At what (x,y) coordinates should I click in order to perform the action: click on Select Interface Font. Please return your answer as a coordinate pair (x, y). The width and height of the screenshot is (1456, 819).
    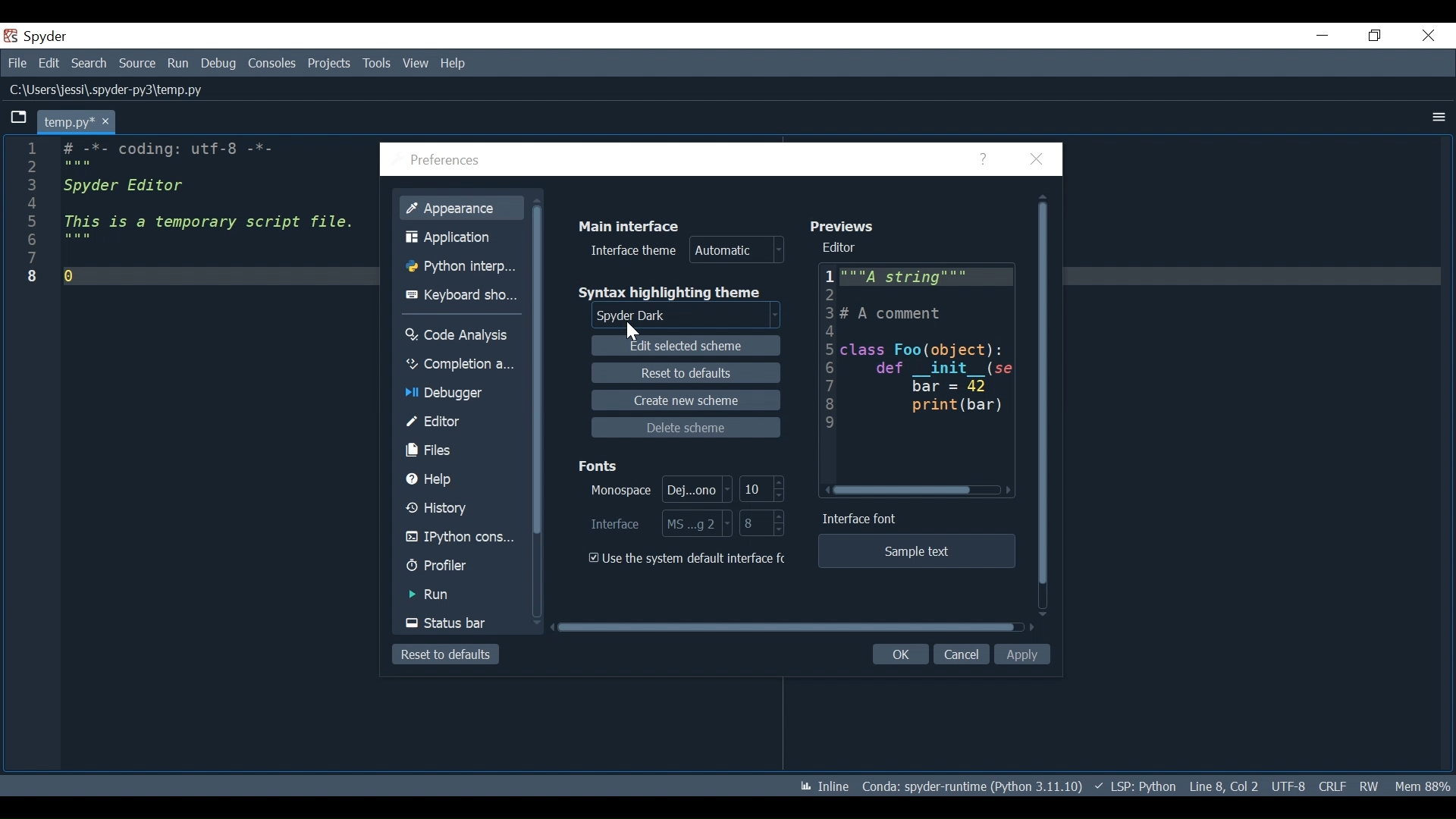
    Looking at the image, I should click on (657, 523).